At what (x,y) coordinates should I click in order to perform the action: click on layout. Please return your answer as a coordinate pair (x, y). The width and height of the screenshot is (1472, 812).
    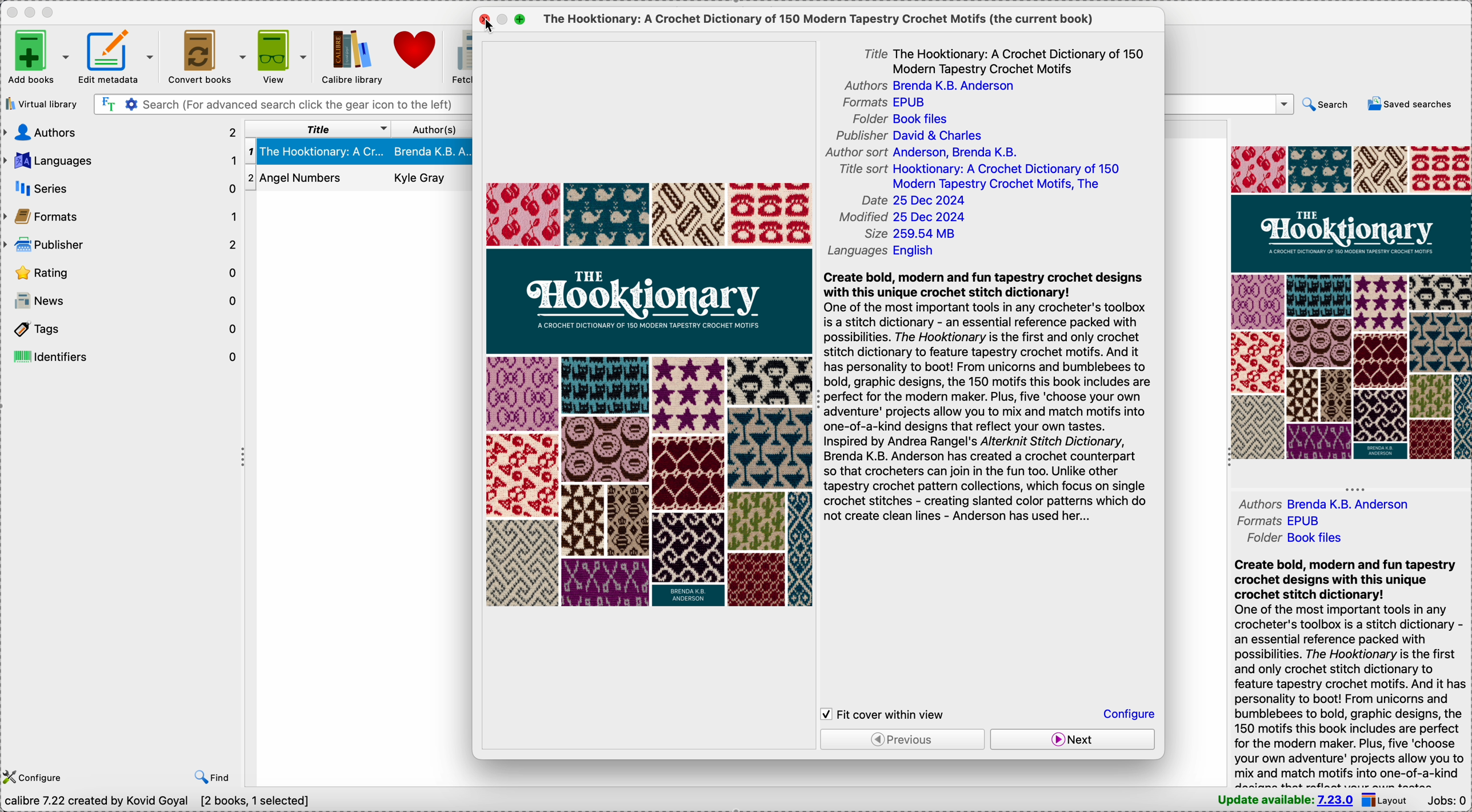
    Looking at the image, I should click on (1389, 801).